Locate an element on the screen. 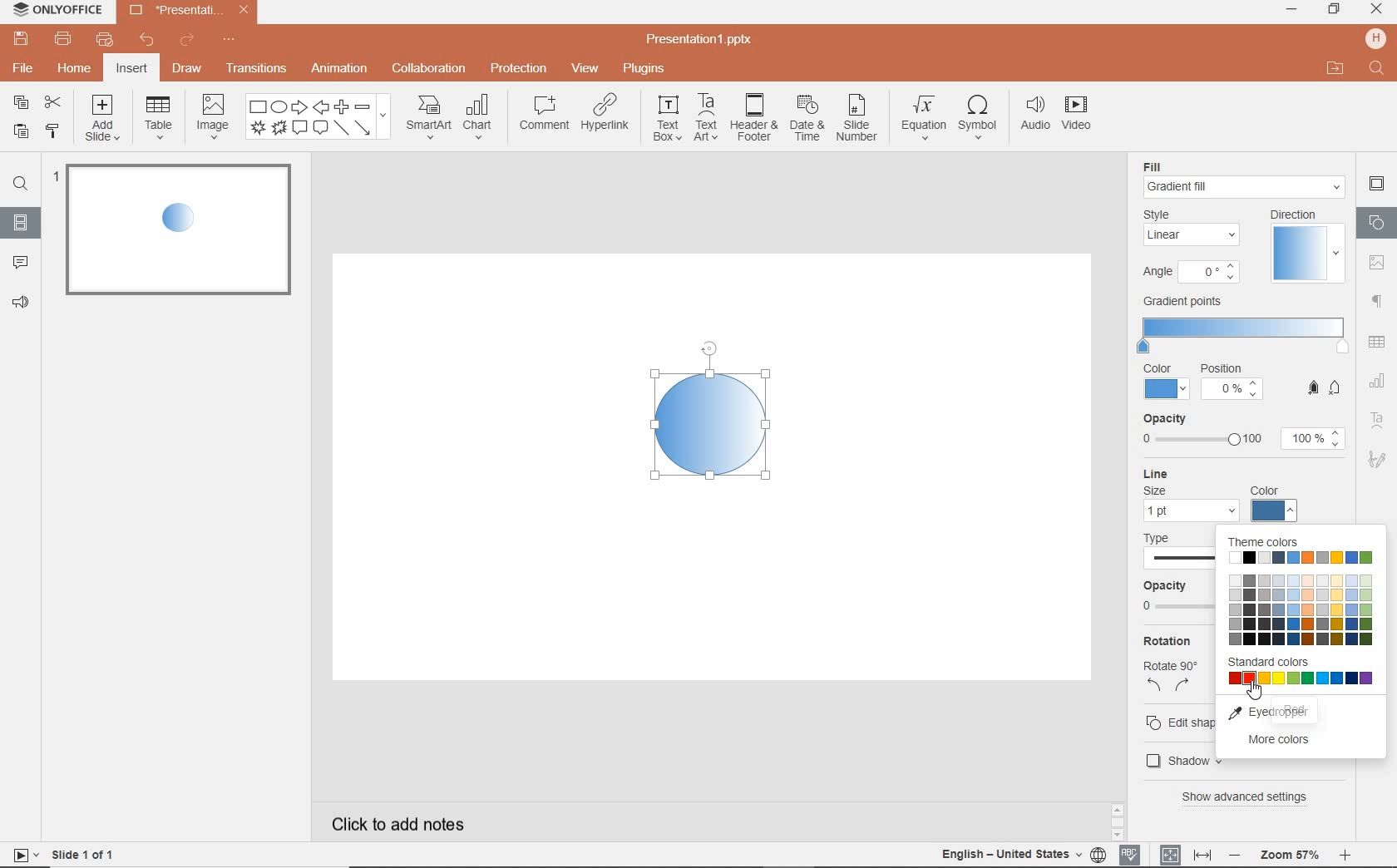 This screenshot has height=868, width=1397. comment is located at coordinates (544, 112).